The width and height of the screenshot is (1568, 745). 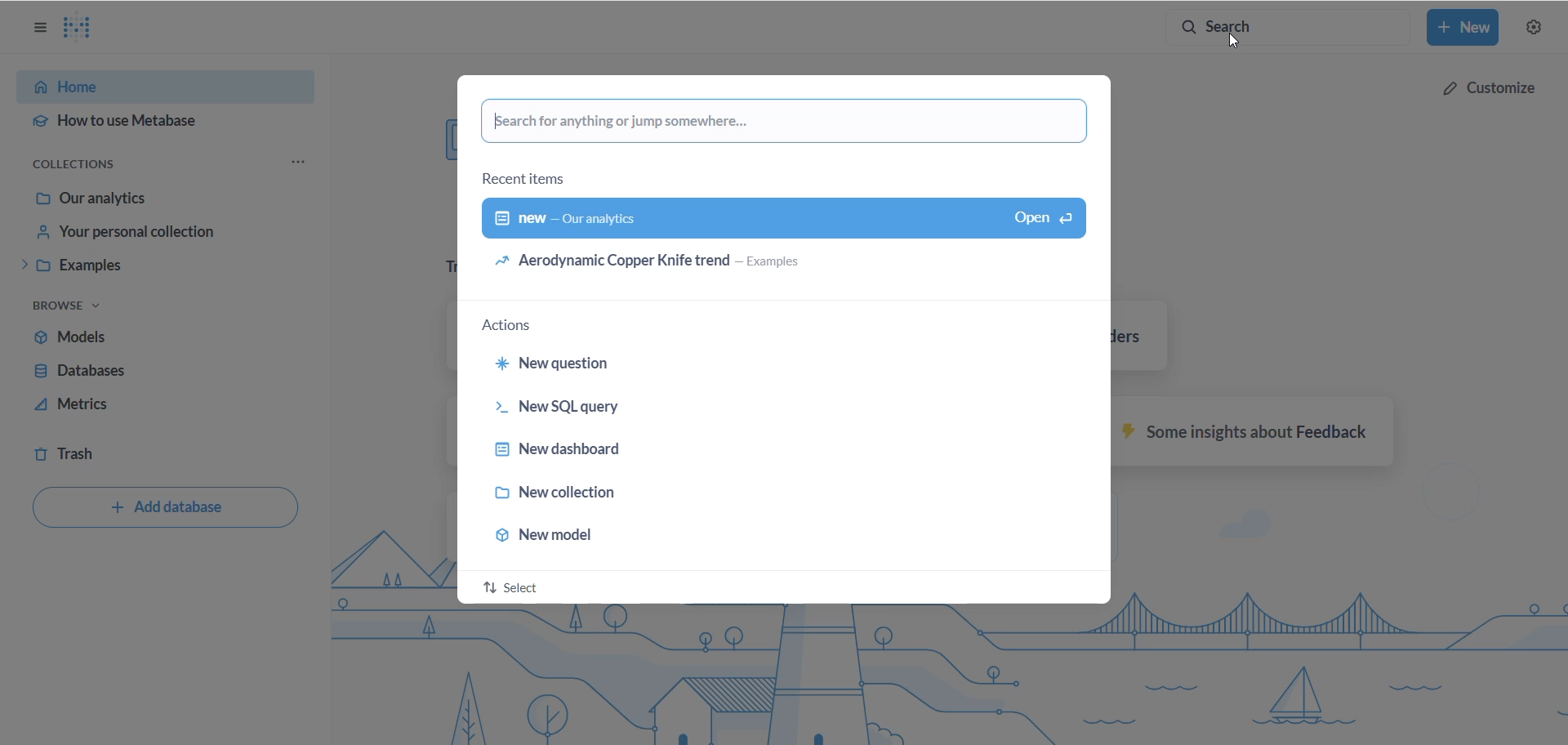 What do you see at coordinates (146, 236) in the screenshot?
I see `your personal collection` at bounding box center [146, 236].